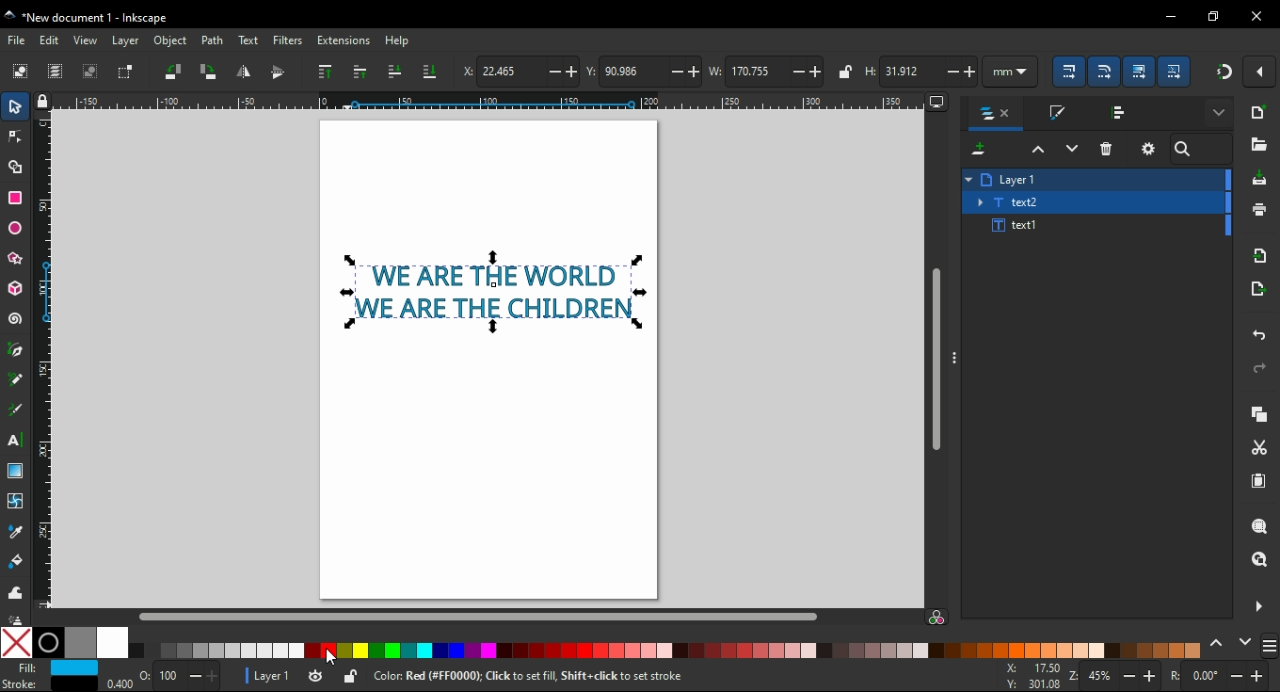 The height and width of the screenshot is (692, 1280). I want to click on gradient tool, so click(14, 471).